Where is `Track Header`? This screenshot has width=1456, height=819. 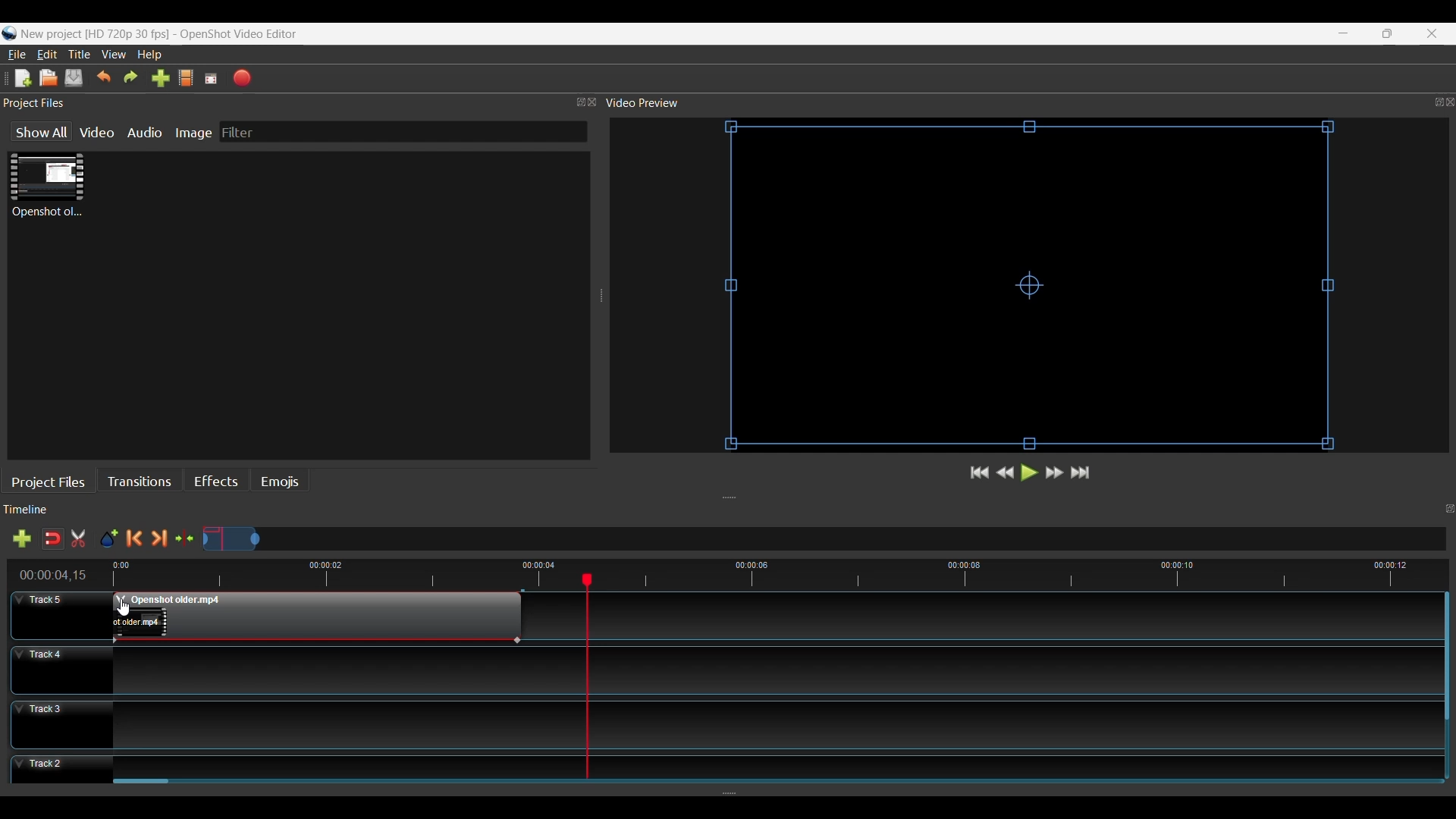
Track Header is located at coordinates (61, 614).